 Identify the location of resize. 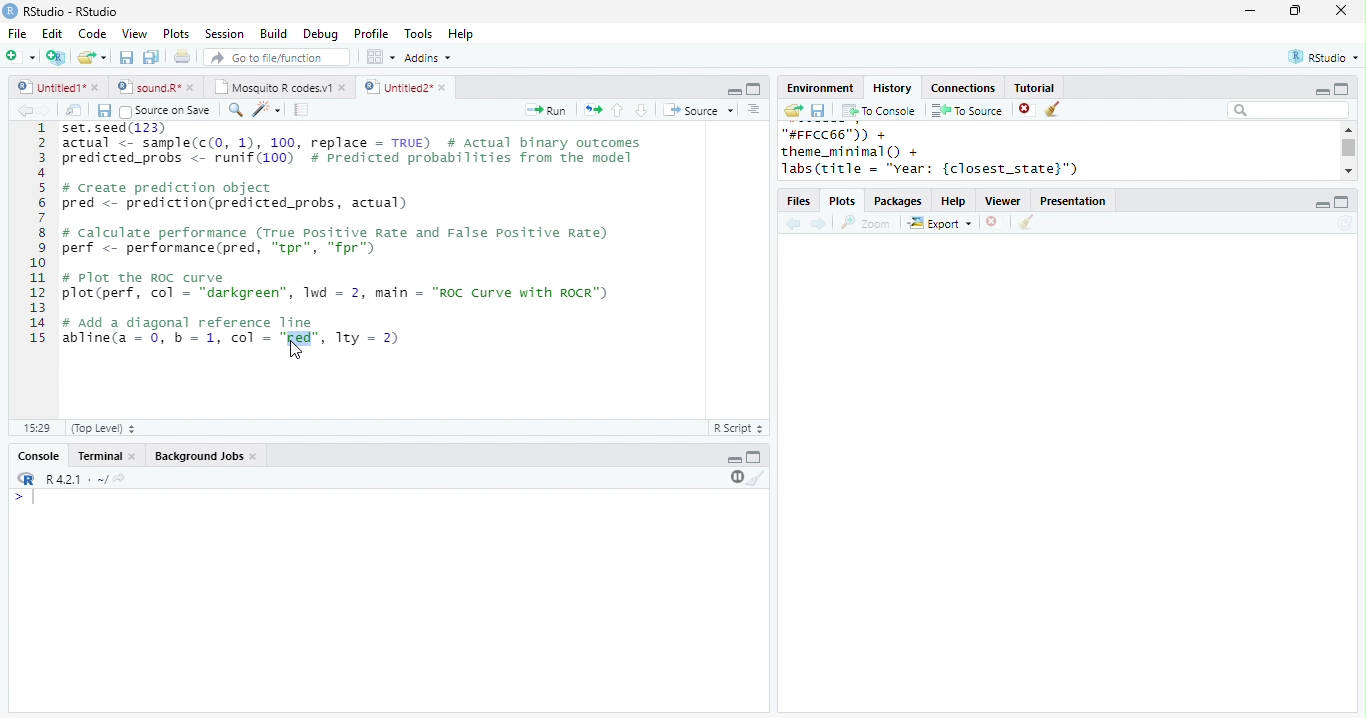
(1295, 11).